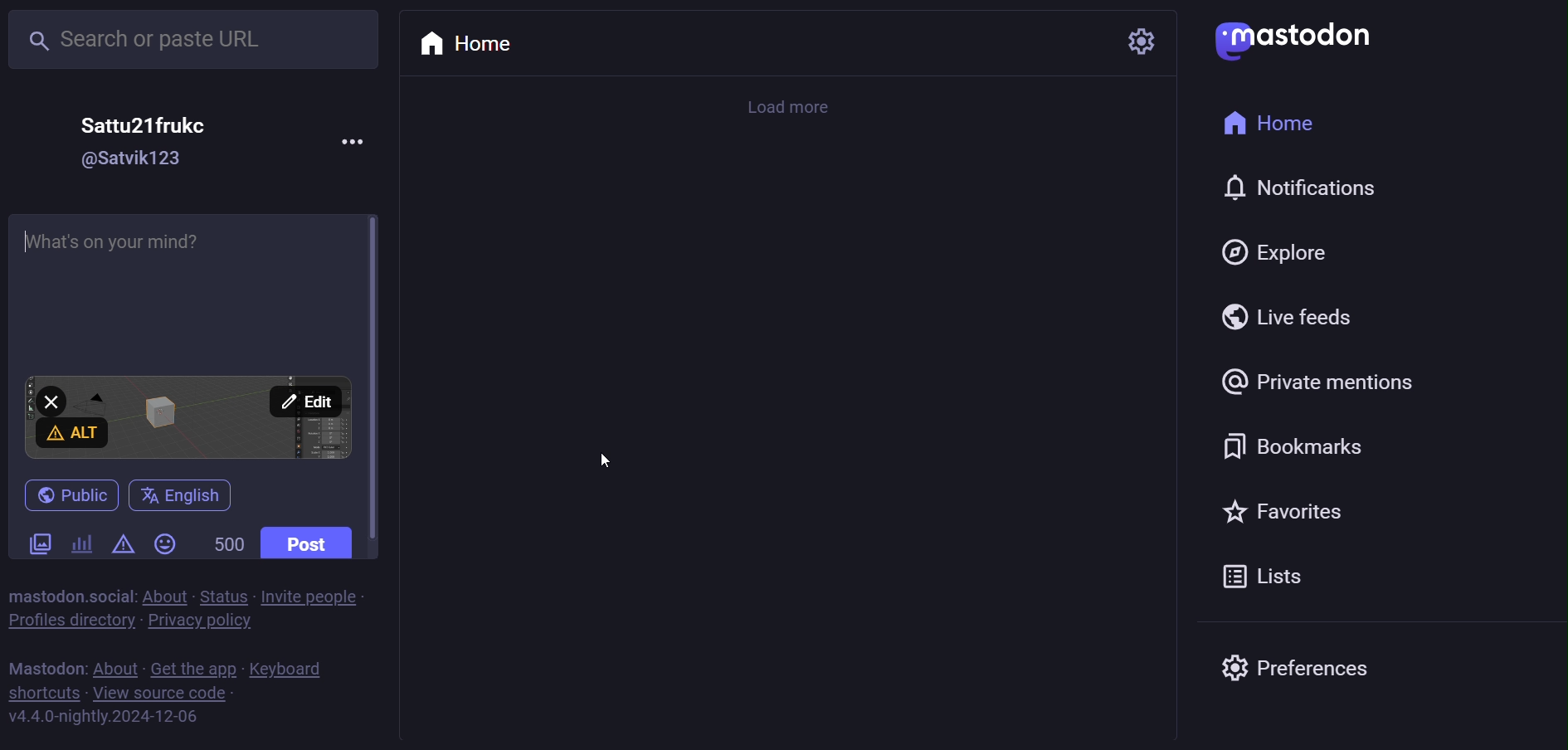 The width and height of the screenshot is (1568, 750). I want to click on live feed, so click(1283, 319).